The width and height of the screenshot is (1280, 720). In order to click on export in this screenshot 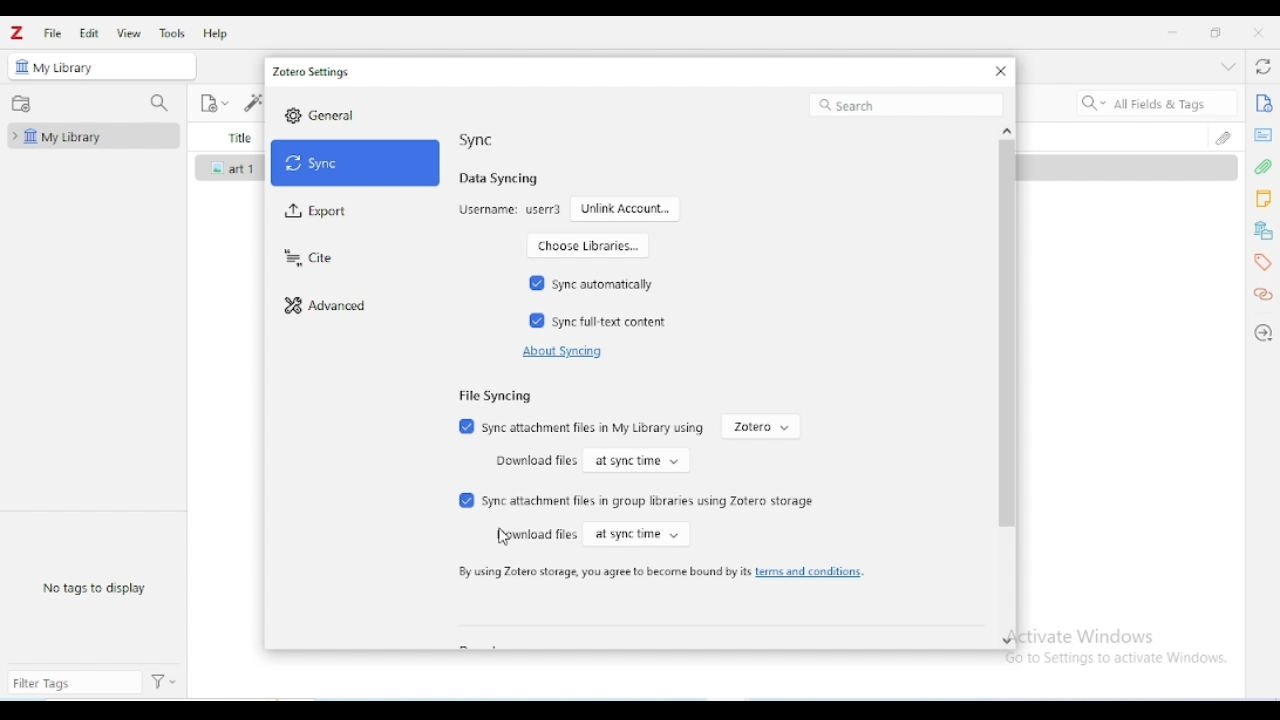, I will do `click(317, 212)`.